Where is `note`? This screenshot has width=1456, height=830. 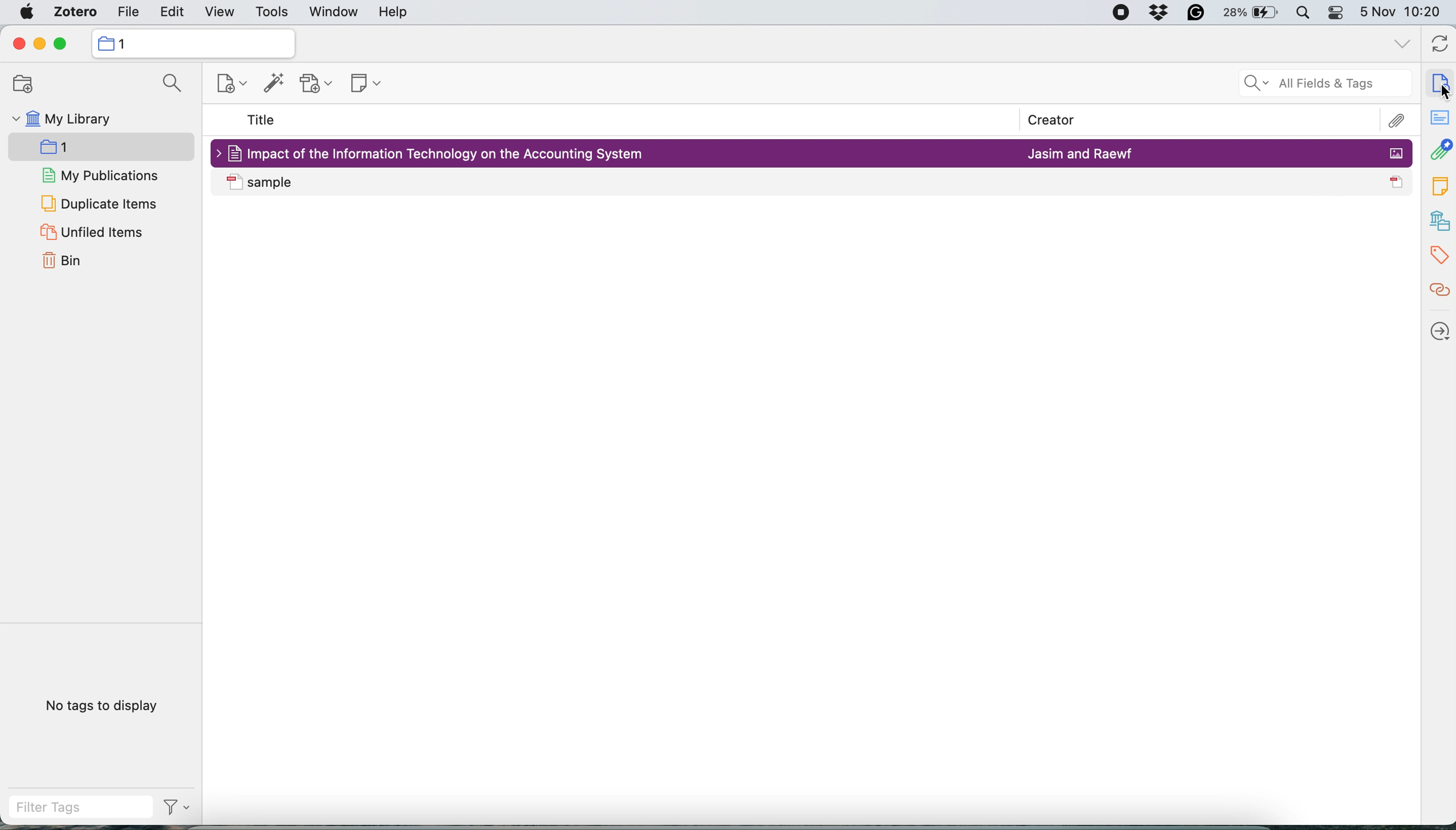
note is located at coordinates (1439, 186).